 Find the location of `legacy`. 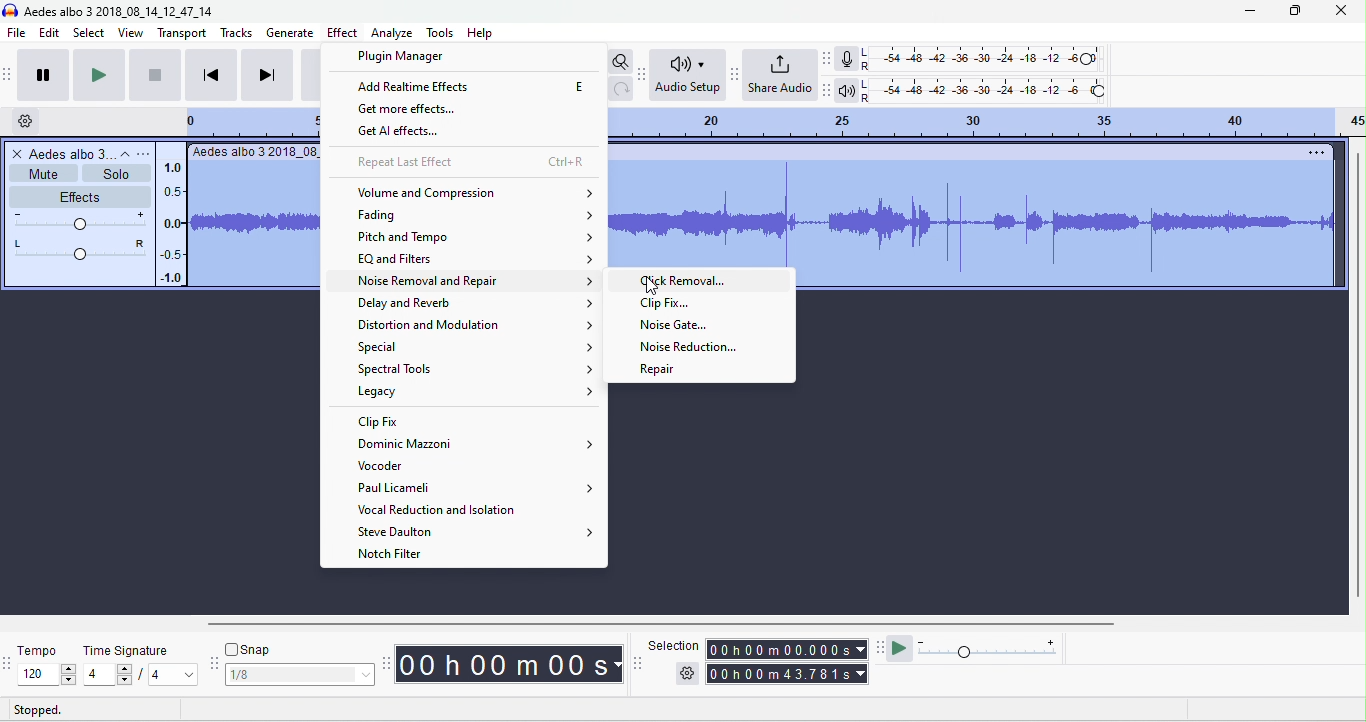

legacy is located at coordinates (476, 392).